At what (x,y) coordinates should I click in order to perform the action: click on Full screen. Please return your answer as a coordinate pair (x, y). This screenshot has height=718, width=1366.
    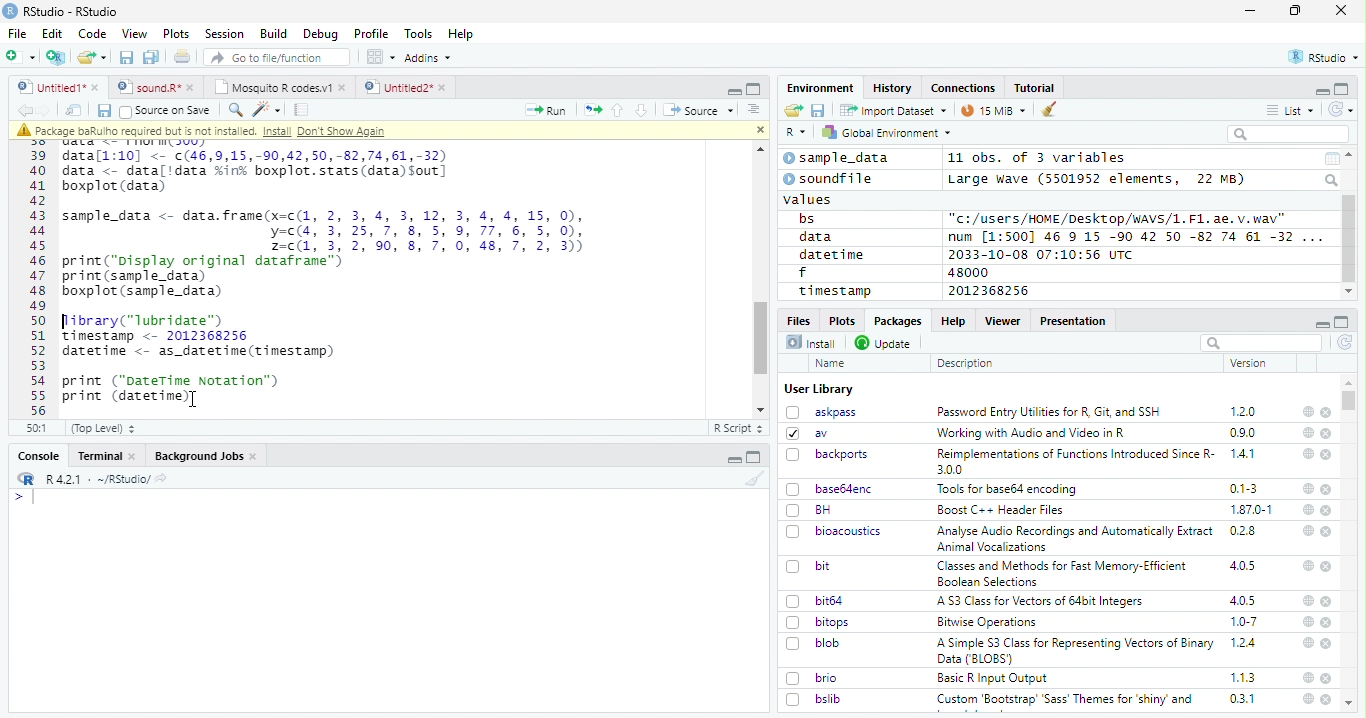
    Looking at the image, I should click on (754, 457).